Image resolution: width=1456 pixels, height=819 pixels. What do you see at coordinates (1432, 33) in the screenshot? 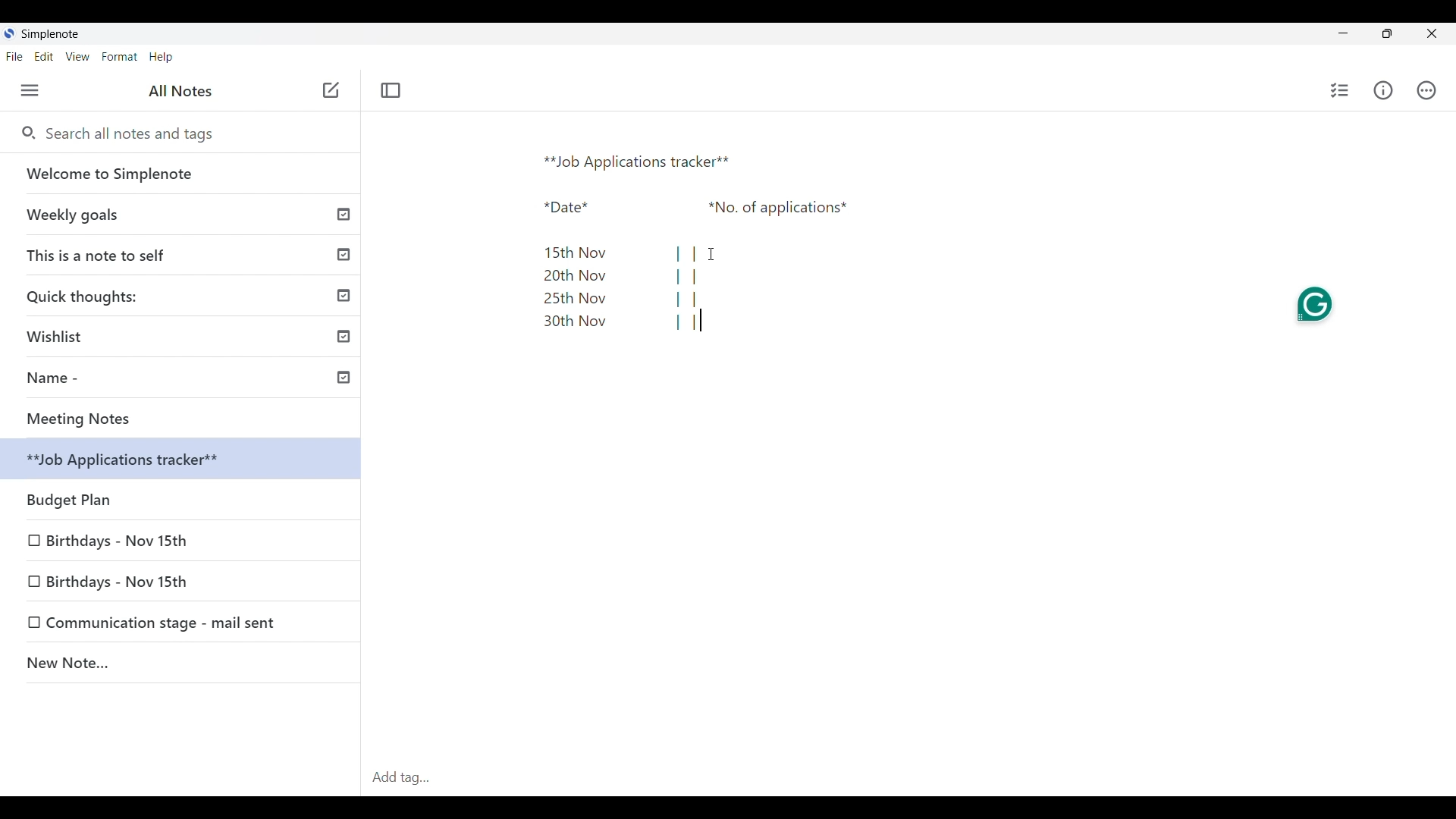
I see `Close interface` at bounding box center [1432, 33].